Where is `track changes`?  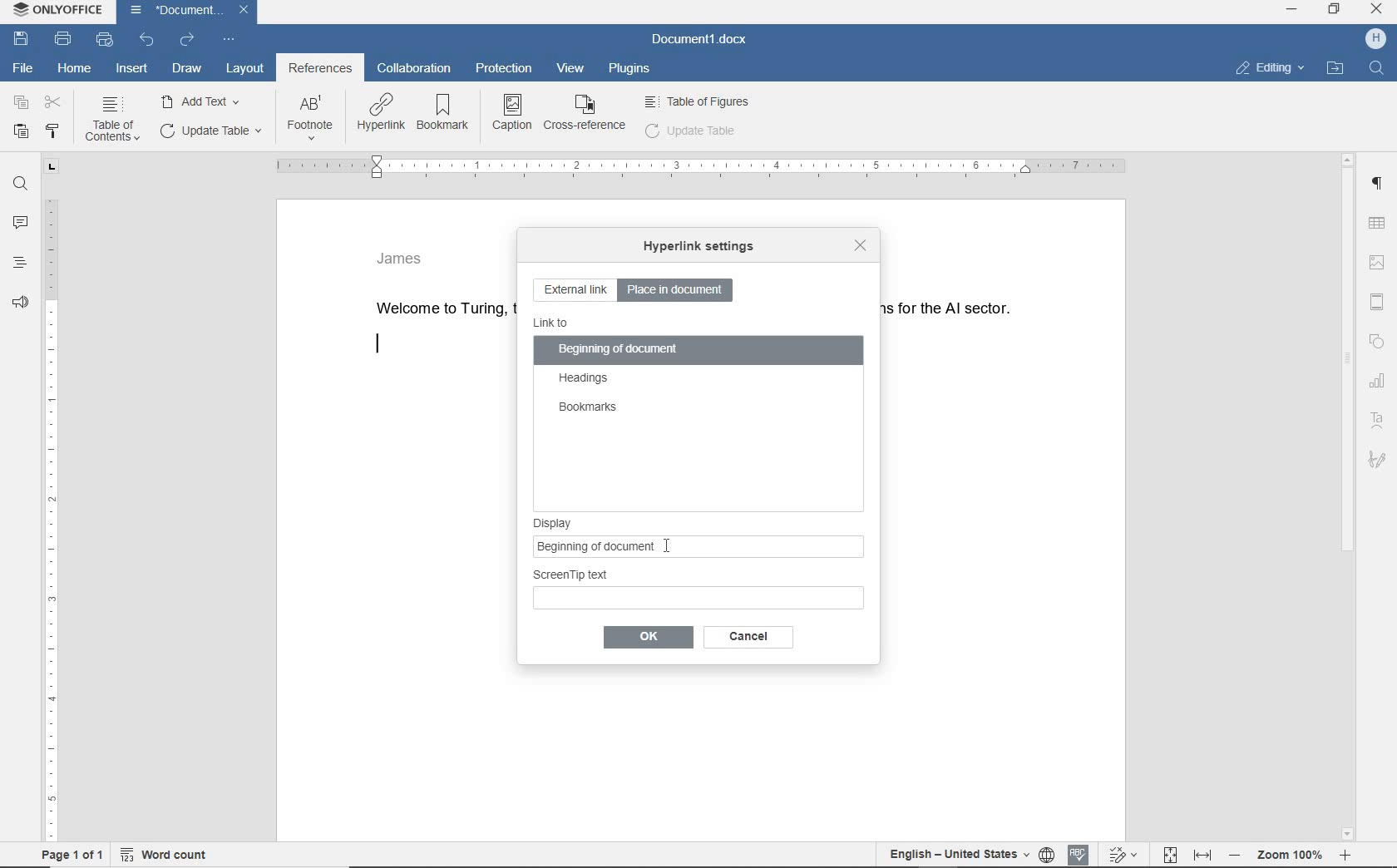
track changes is located at coordinates (1124, 855).